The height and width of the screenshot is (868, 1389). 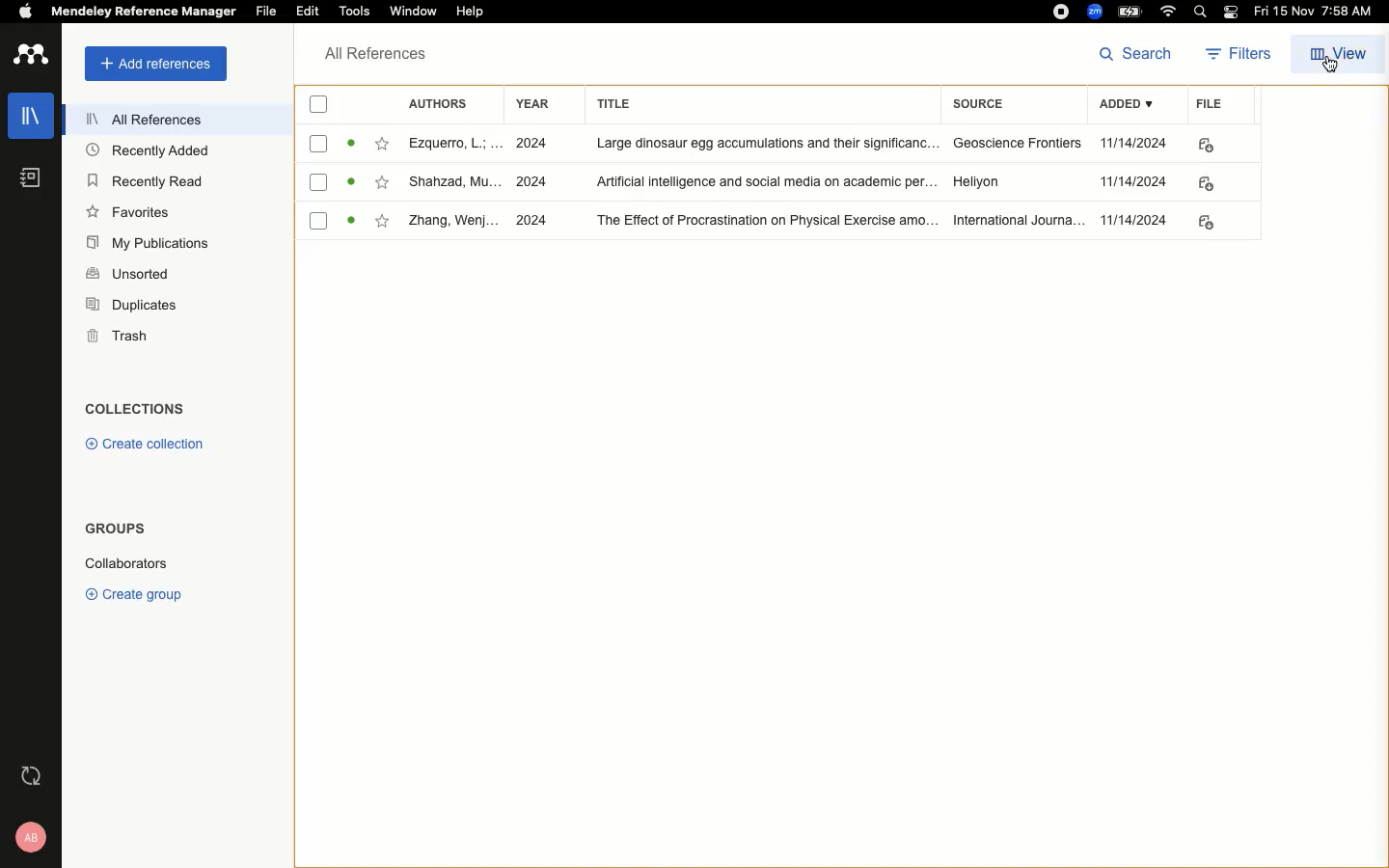 I want to click on Duplicates, so click(x=129, y=307).